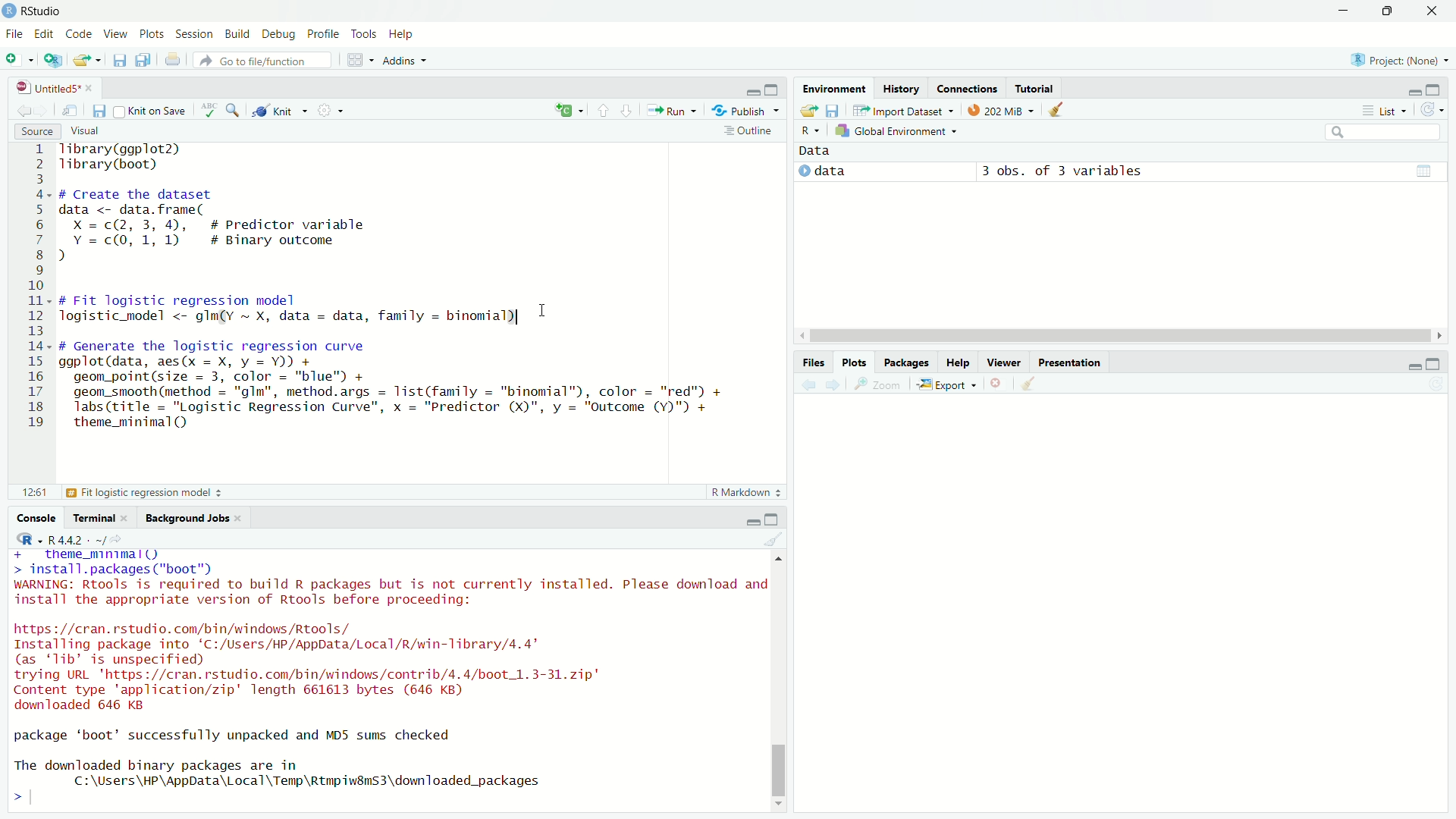 The width and height of the screenshot is (1456, 819). I want to click on close, so click(1431, 11).